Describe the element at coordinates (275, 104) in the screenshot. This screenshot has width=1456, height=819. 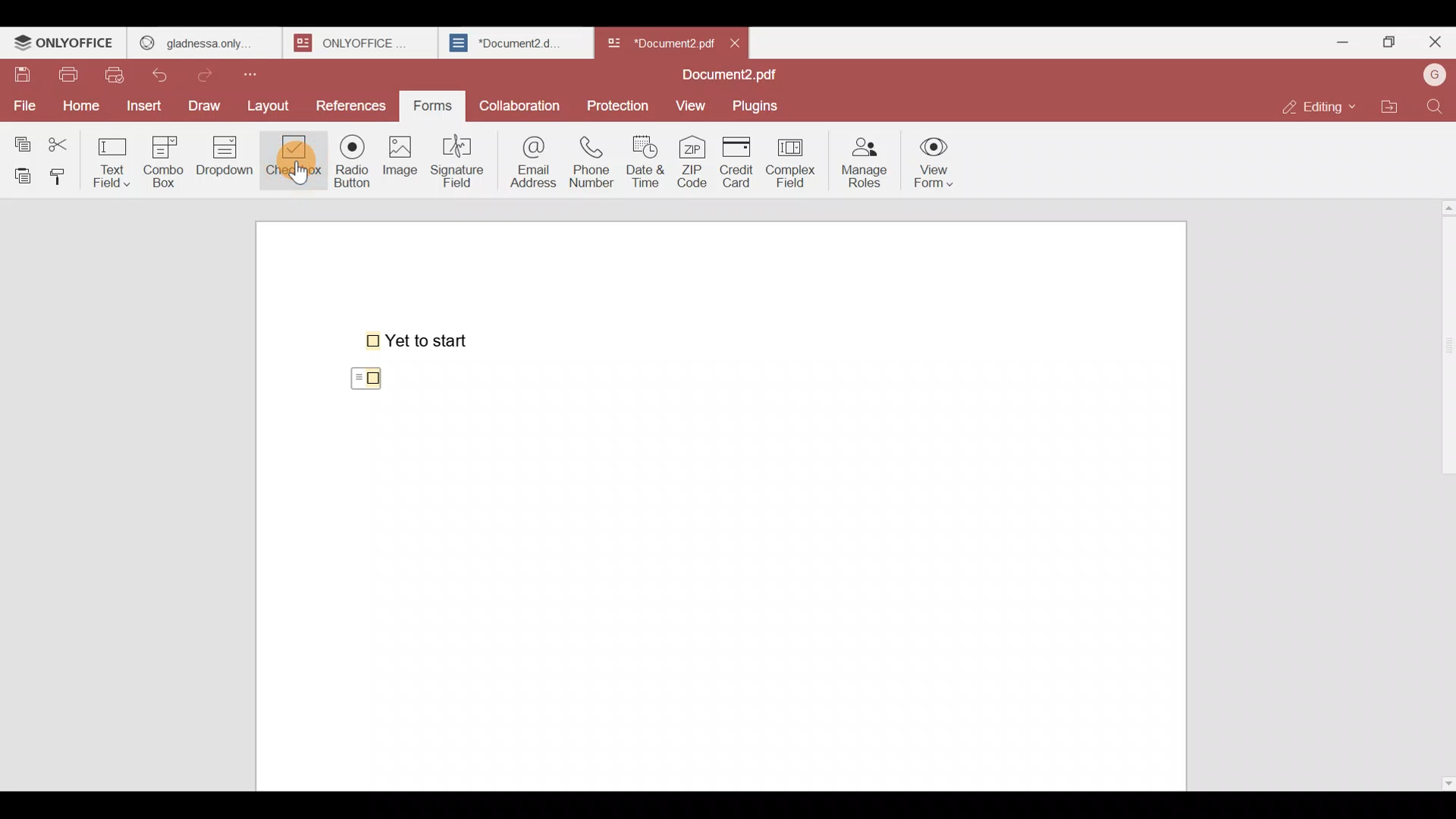
I see `Layout` at that location.